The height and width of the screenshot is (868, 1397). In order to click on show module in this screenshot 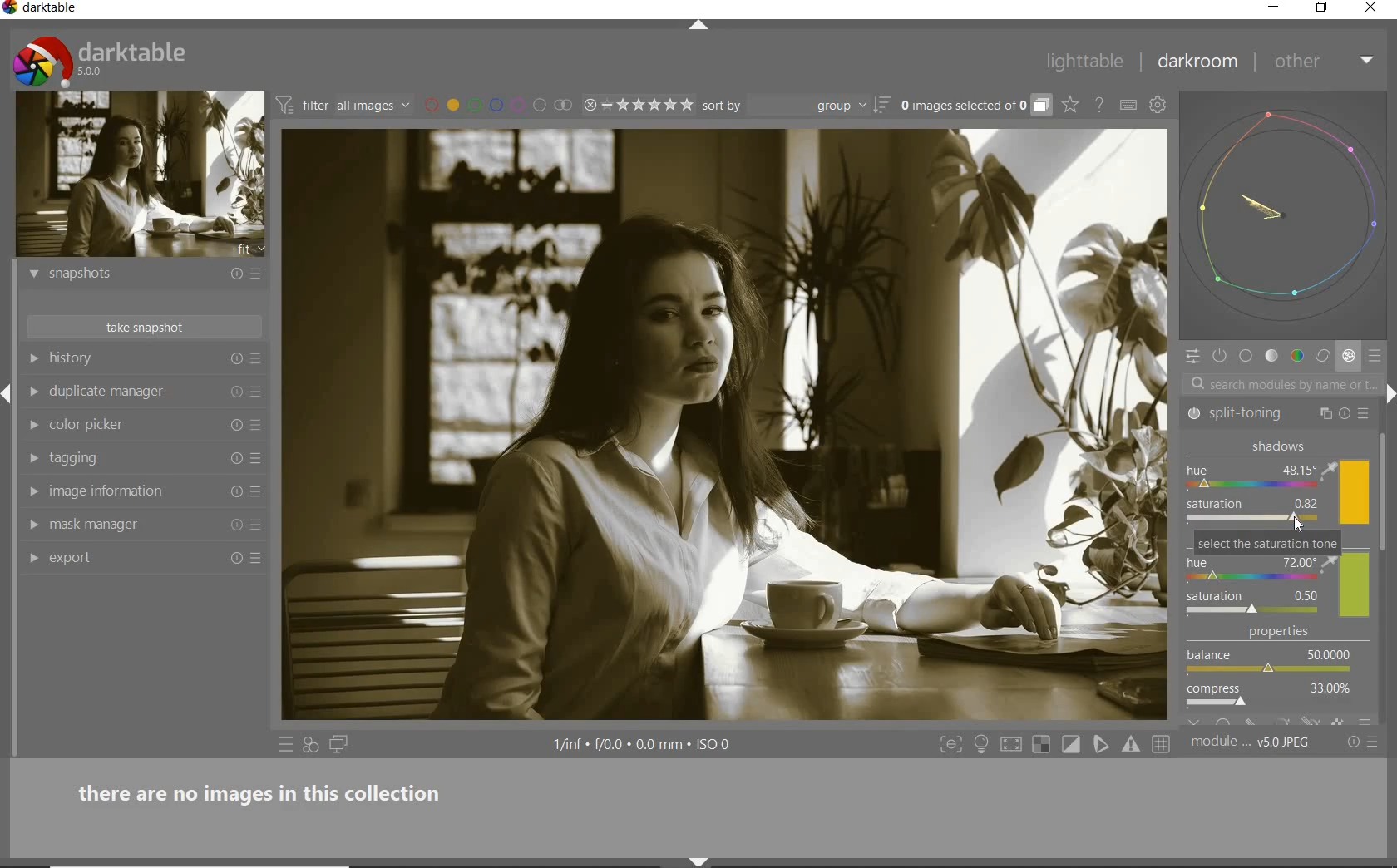, I will do `click(32, 358)`.